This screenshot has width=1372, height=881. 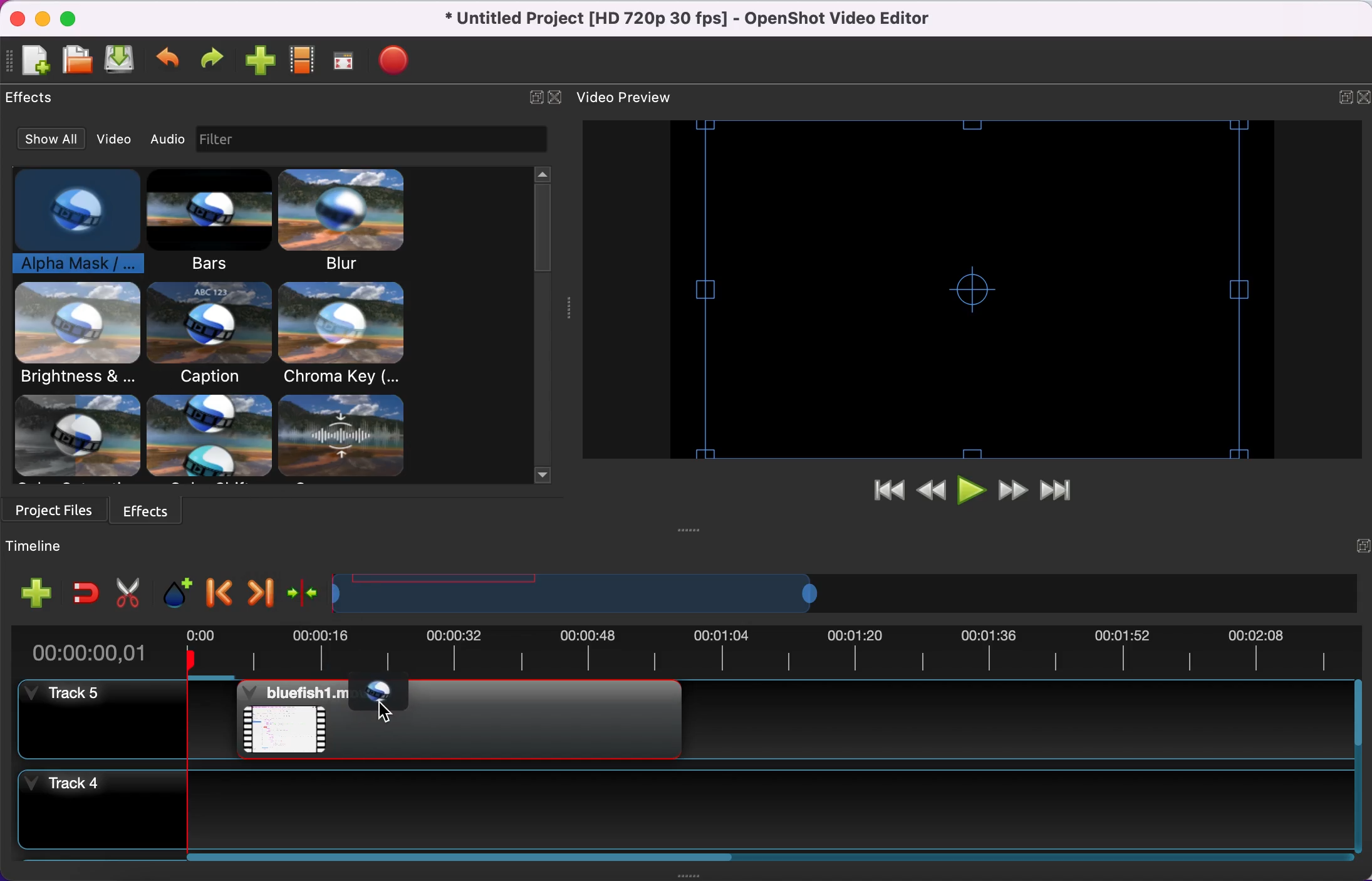 What do you see at coordinates (397, 63) in the screenshot?
I see `export video` at bounding box center [397, 63].